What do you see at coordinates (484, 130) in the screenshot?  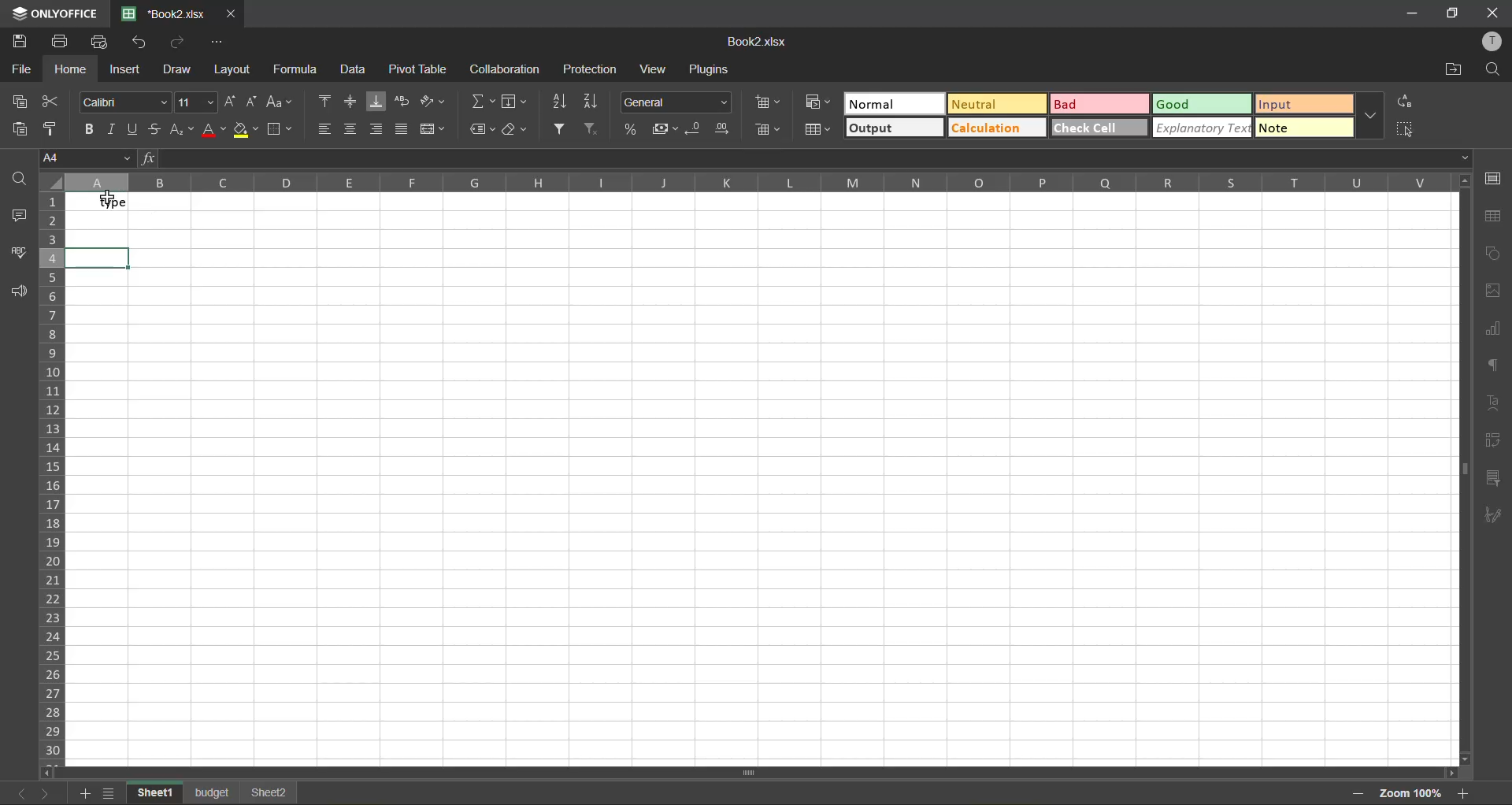 I see `named ranges` at bounding box center [484, 130].